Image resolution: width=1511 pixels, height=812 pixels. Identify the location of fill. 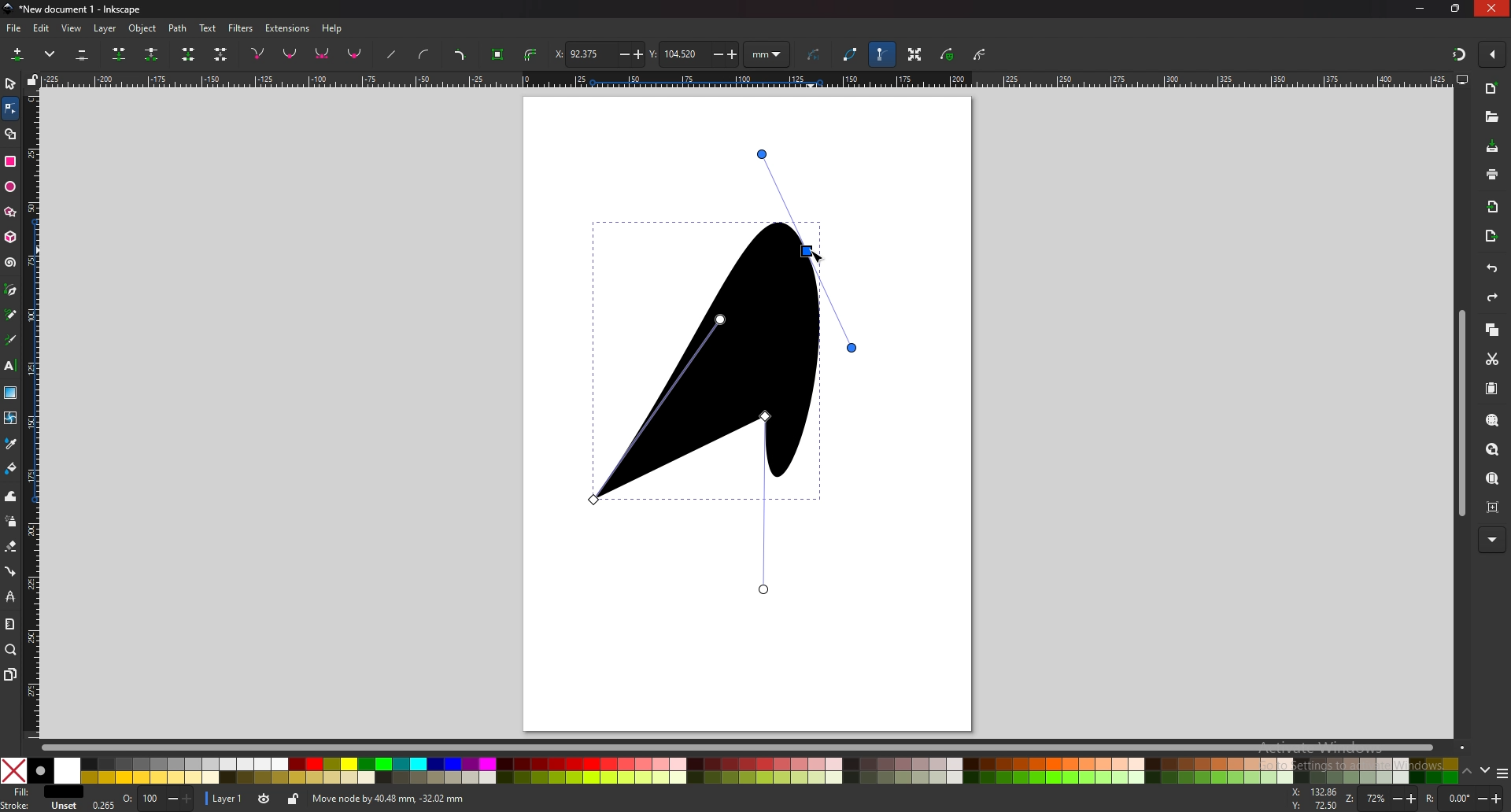
(40, 792).